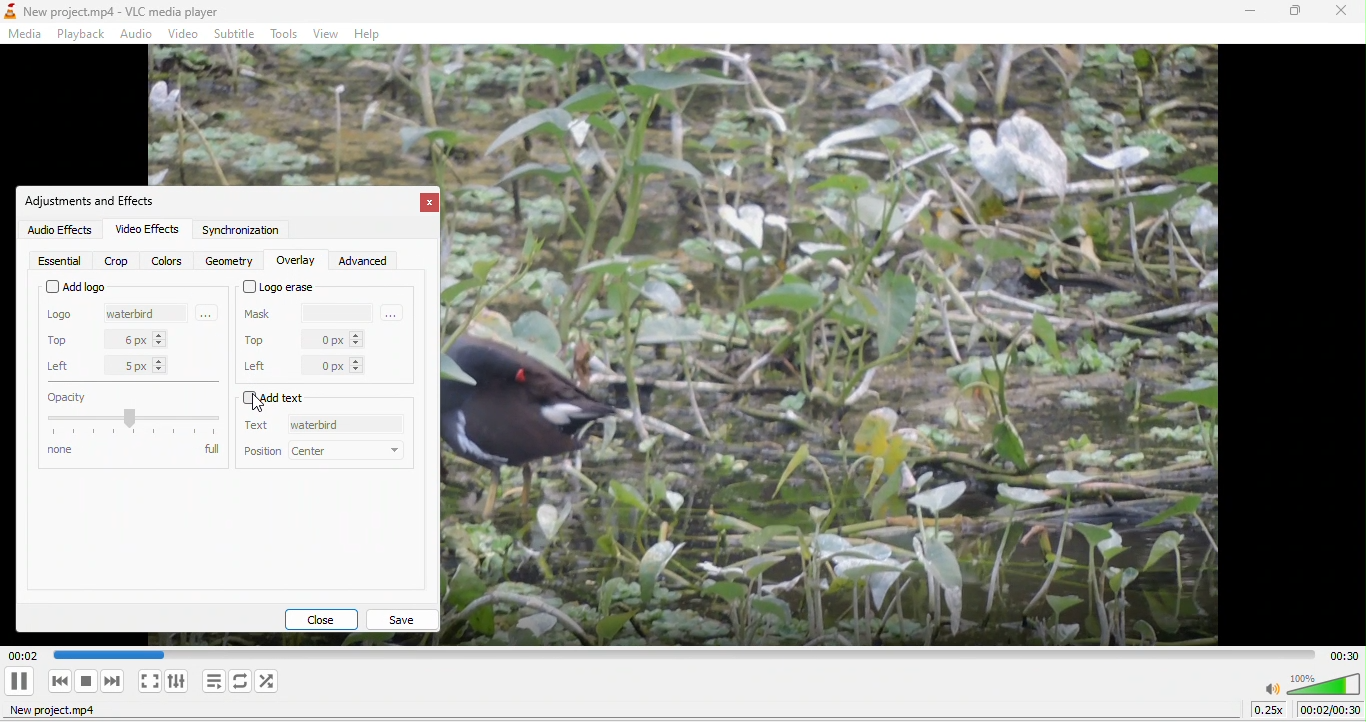 Image resolution: width=1366 pixels, height=722 pixels. What do you see at coordinates (87, 682) in the screenshot?
I see `stop playback` at bounding box center [87, 682].